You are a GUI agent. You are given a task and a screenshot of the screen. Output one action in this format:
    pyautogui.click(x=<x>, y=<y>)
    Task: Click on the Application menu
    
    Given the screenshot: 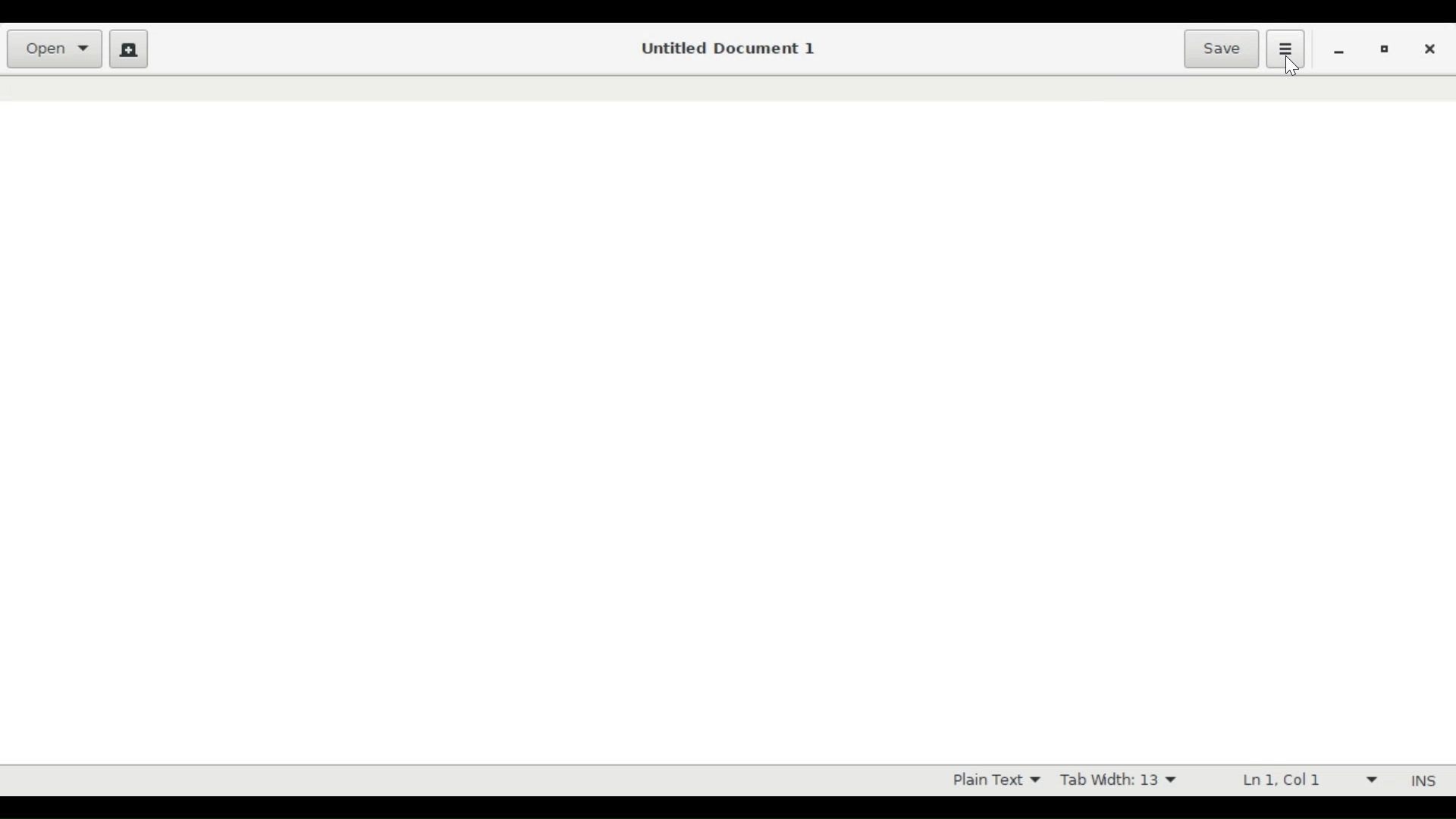 What is the action you would take?
    pyautogui.click(x=1285, y=49)
    